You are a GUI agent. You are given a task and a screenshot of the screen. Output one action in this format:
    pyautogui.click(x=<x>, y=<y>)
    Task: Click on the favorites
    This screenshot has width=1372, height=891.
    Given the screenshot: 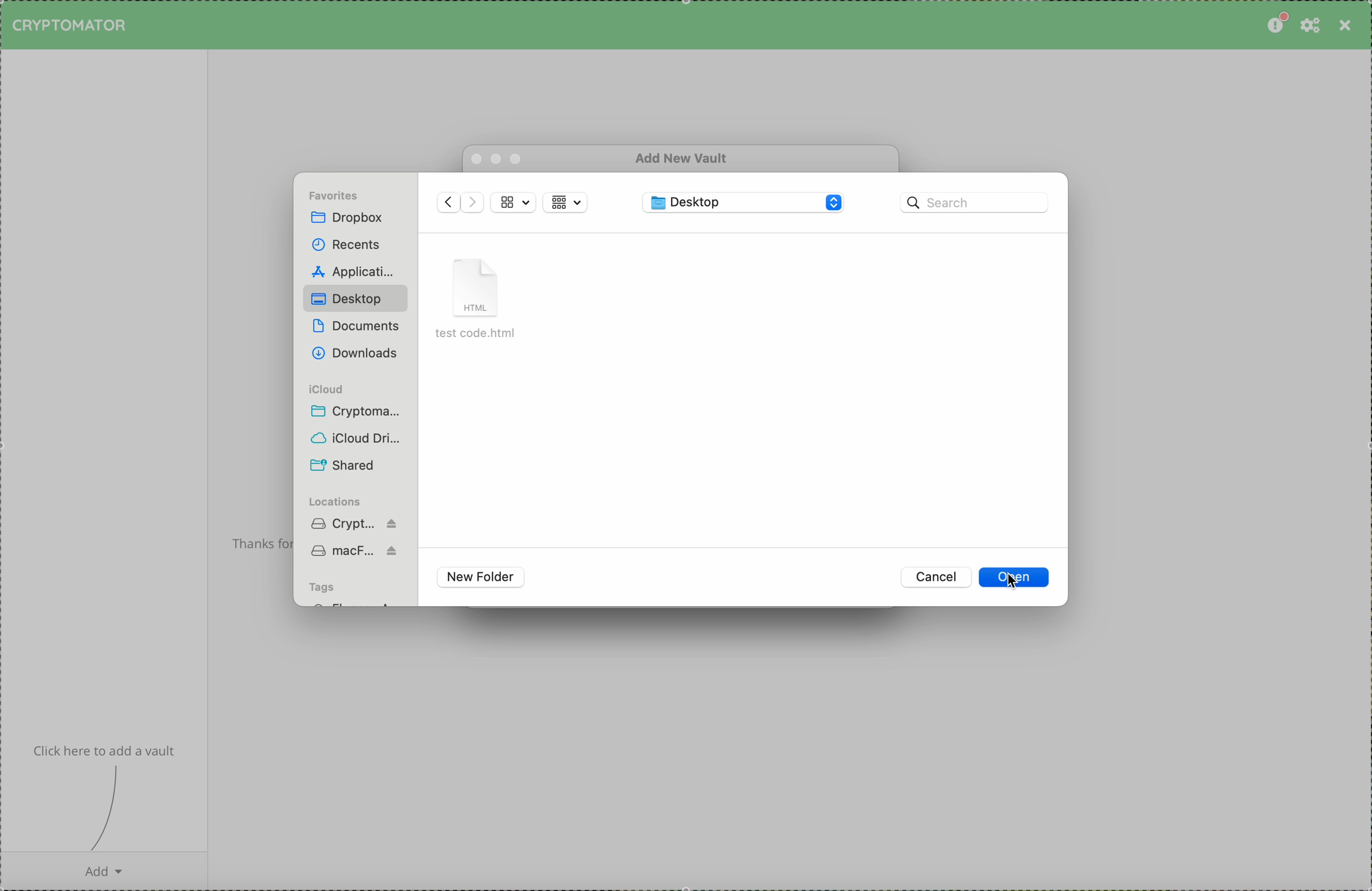 What is the action you would take?
    pyautogui.click(x=332, y=197)
    